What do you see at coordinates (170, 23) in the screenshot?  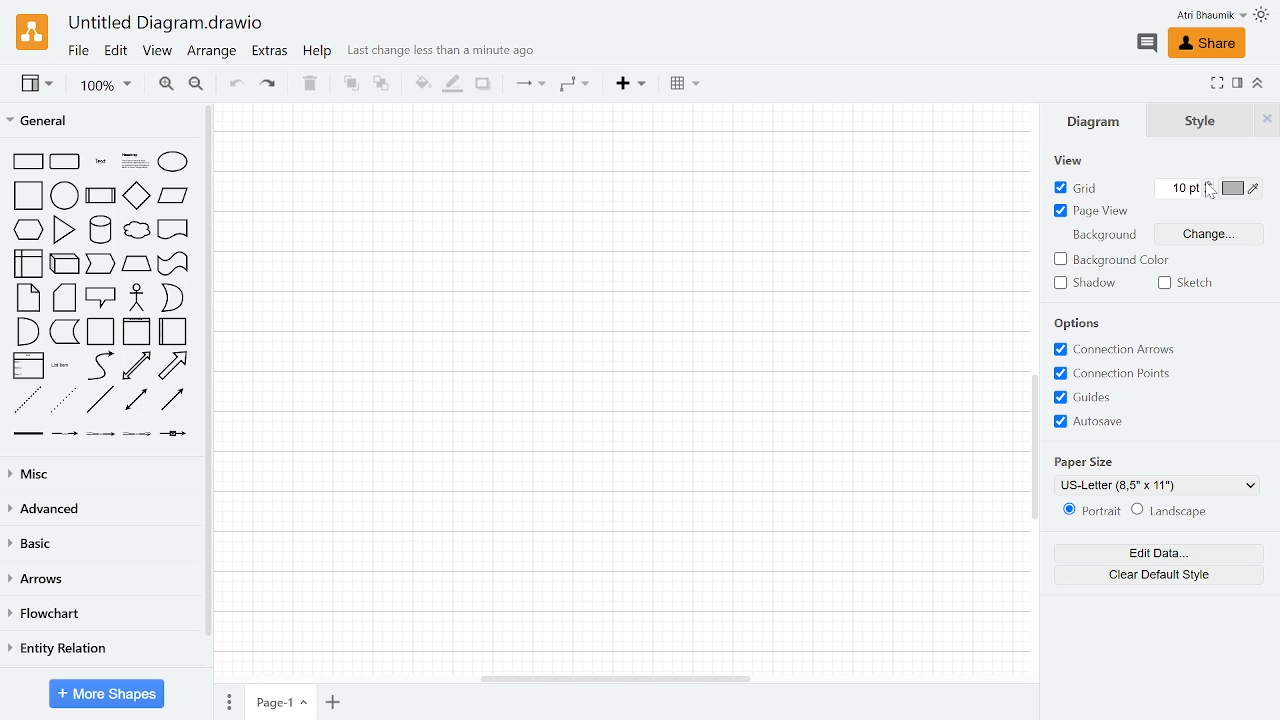 I see `Current window` at bounding box center [170, 23].